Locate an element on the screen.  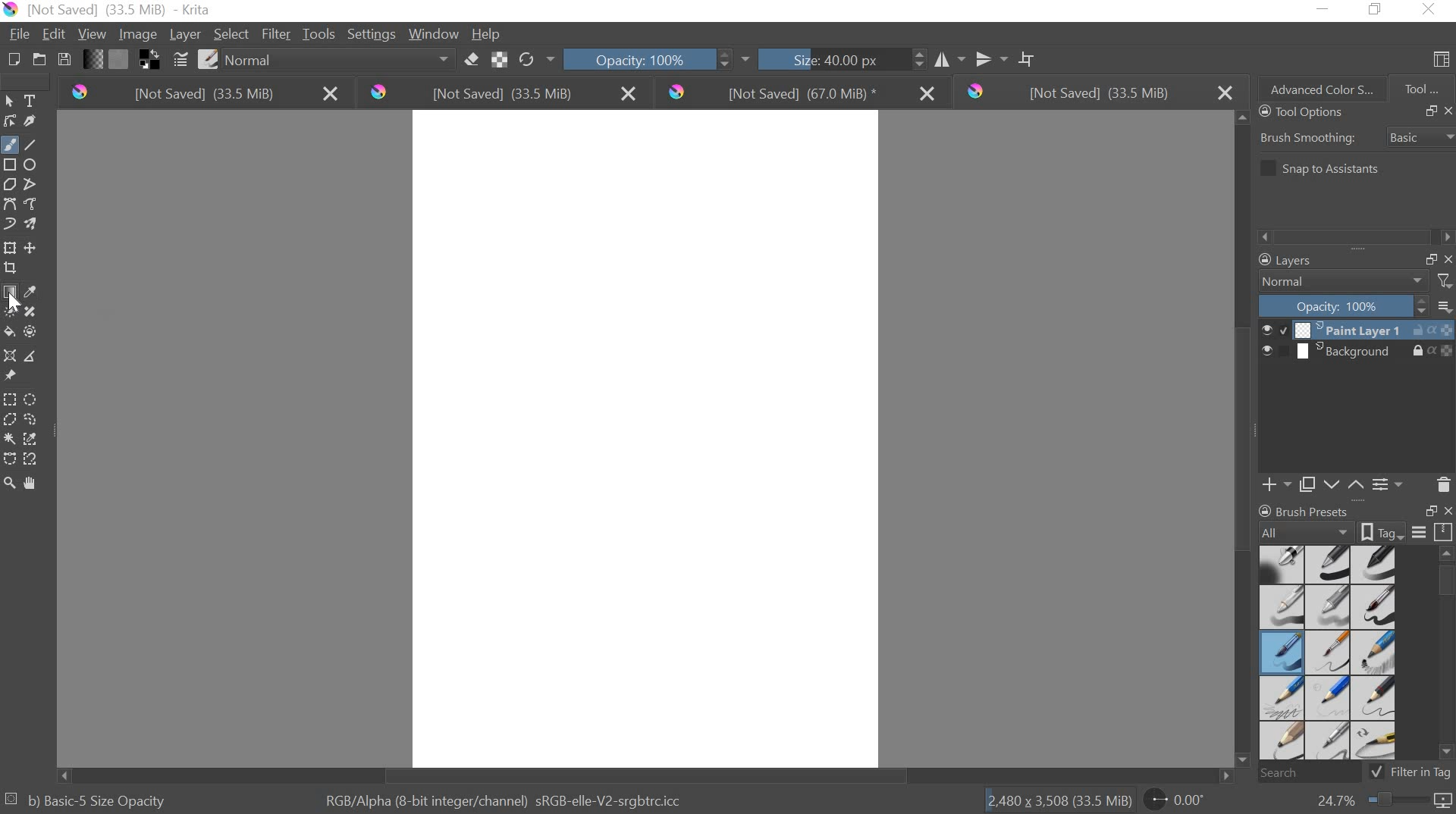
eyedropper is located at coordinates (33, 291).